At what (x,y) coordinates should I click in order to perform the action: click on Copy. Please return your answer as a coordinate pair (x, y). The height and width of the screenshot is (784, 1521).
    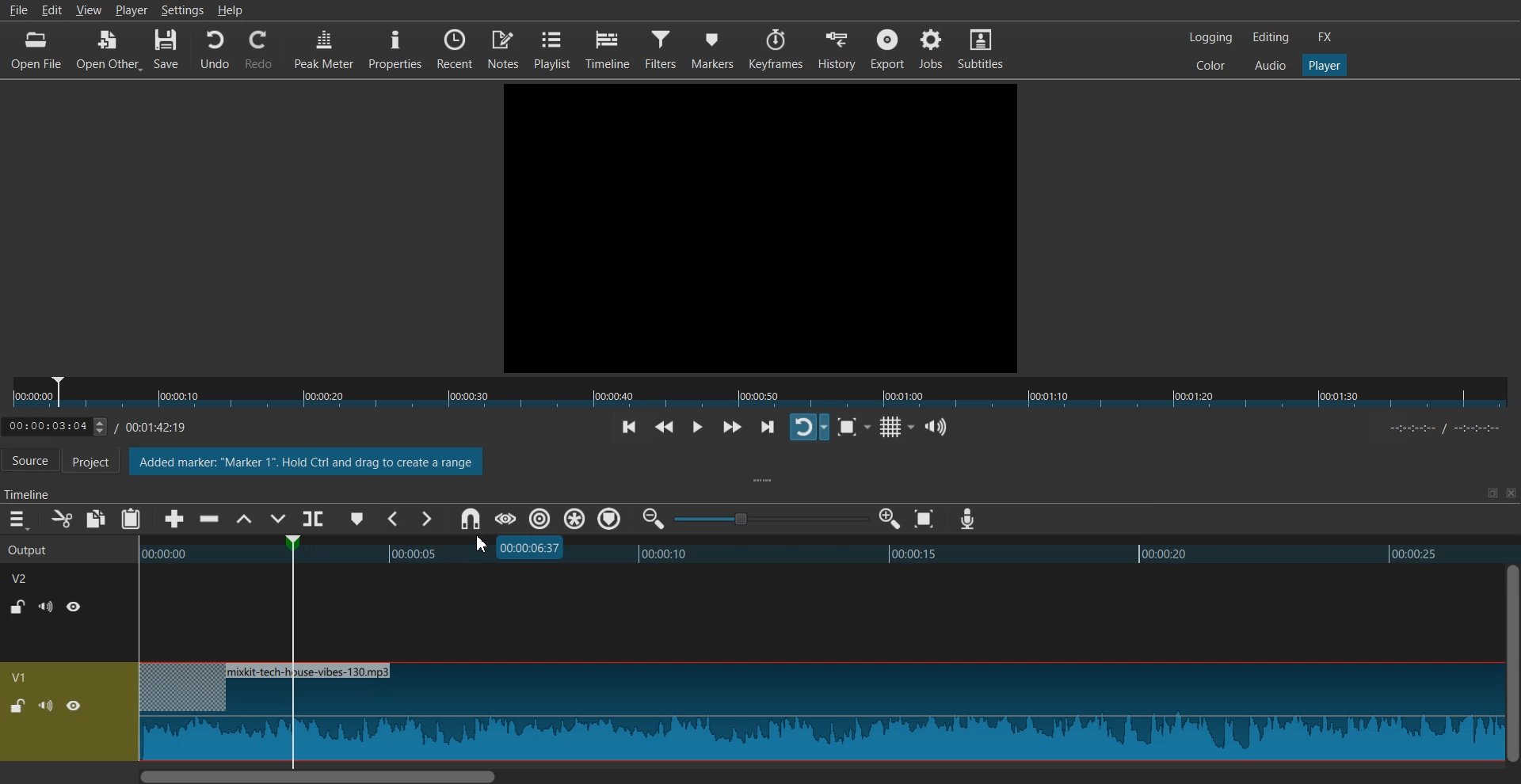
    Looking at the image, I should click on (97, 519).